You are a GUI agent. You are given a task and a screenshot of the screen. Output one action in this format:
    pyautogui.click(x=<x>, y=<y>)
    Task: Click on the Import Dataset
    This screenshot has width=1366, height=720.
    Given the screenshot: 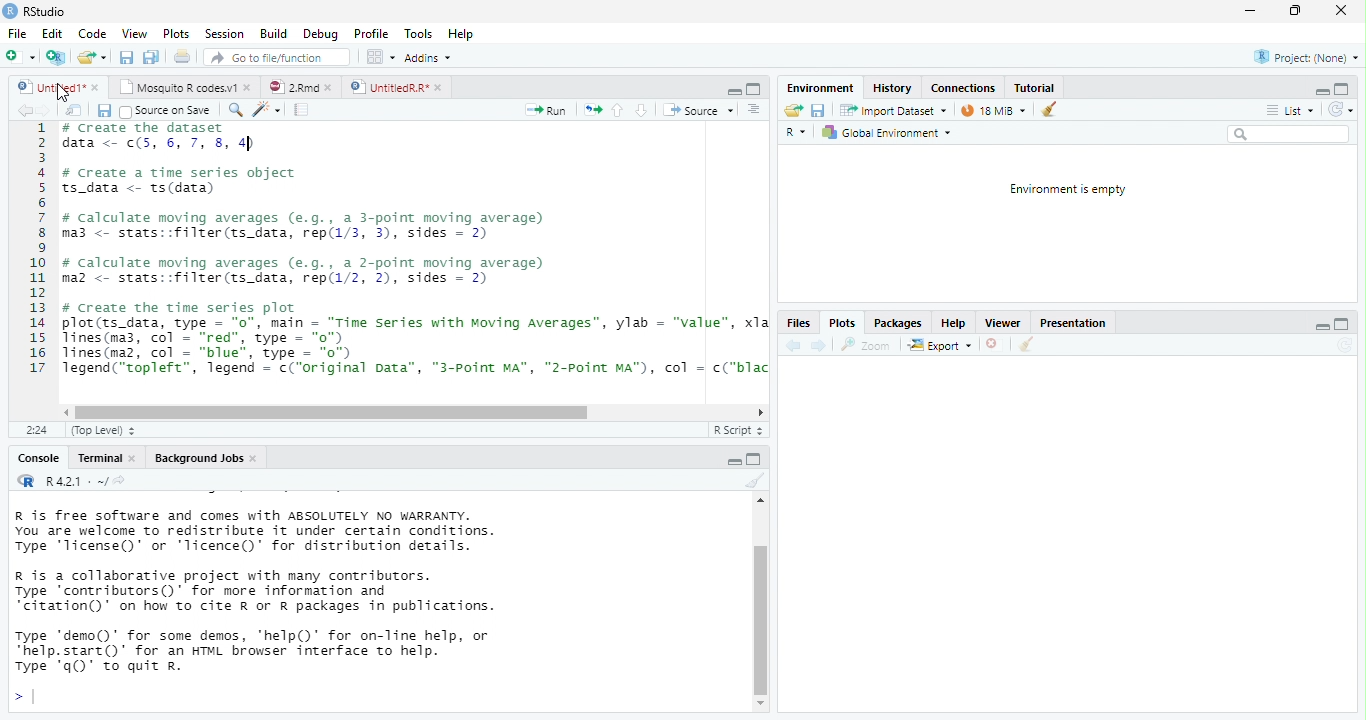 What is the action you would take?
    pyautogui.click(x=895, y=110)
    